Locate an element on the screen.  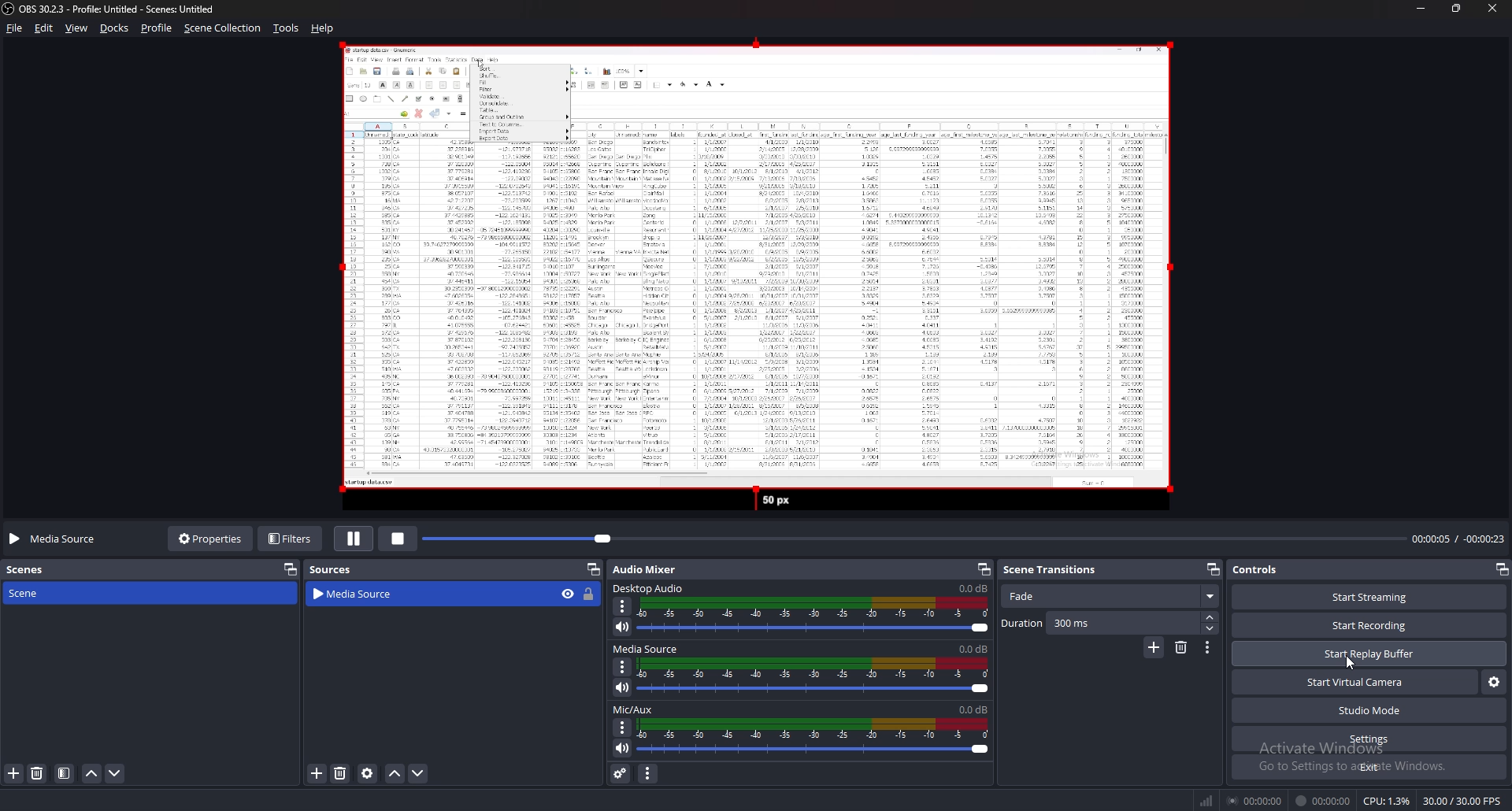
30.00 / 30.00 FPS is located at coordinates (1462, 801).